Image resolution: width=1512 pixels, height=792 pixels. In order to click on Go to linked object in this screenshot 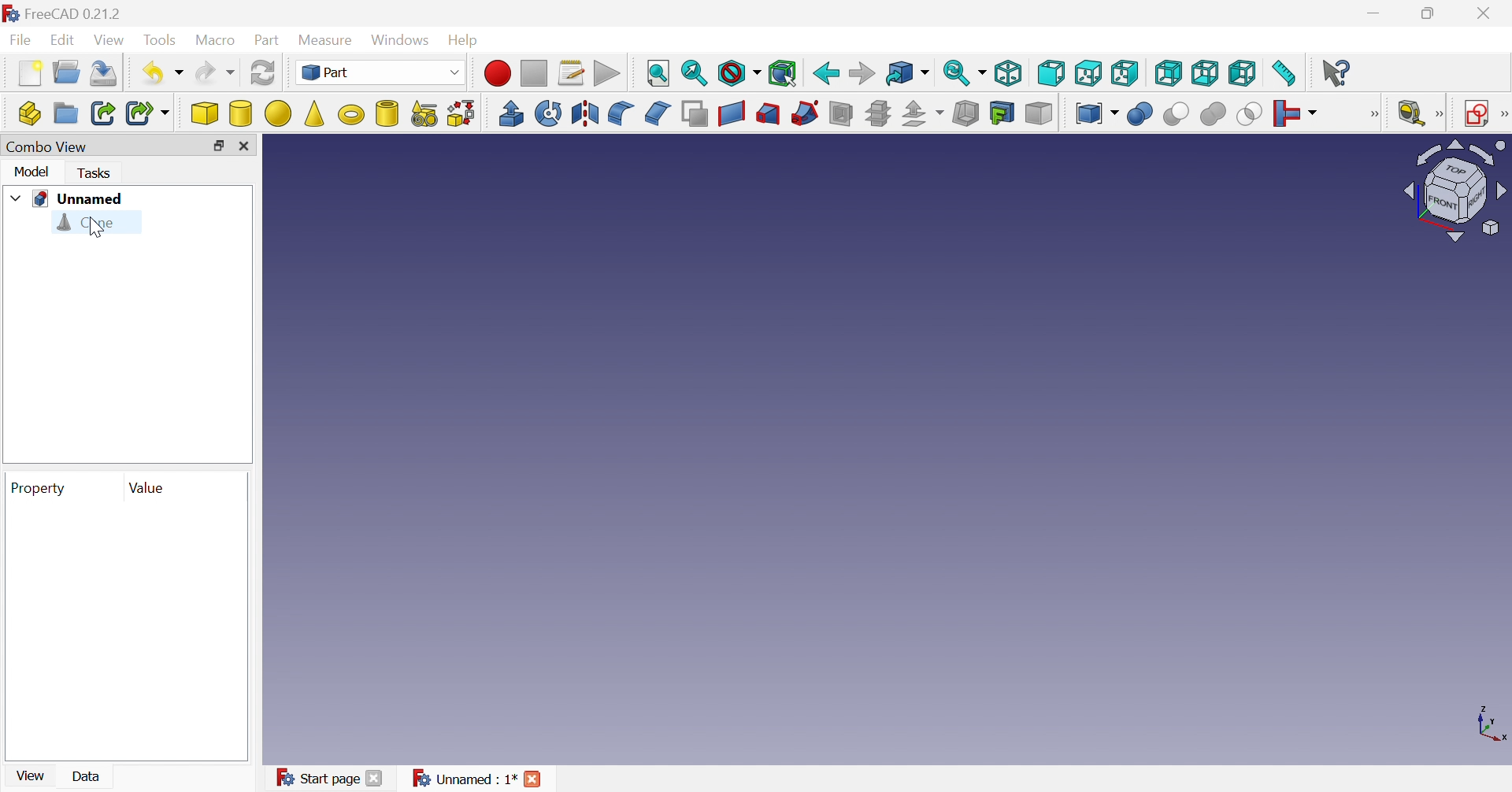, I will do `click(908, 73)`.